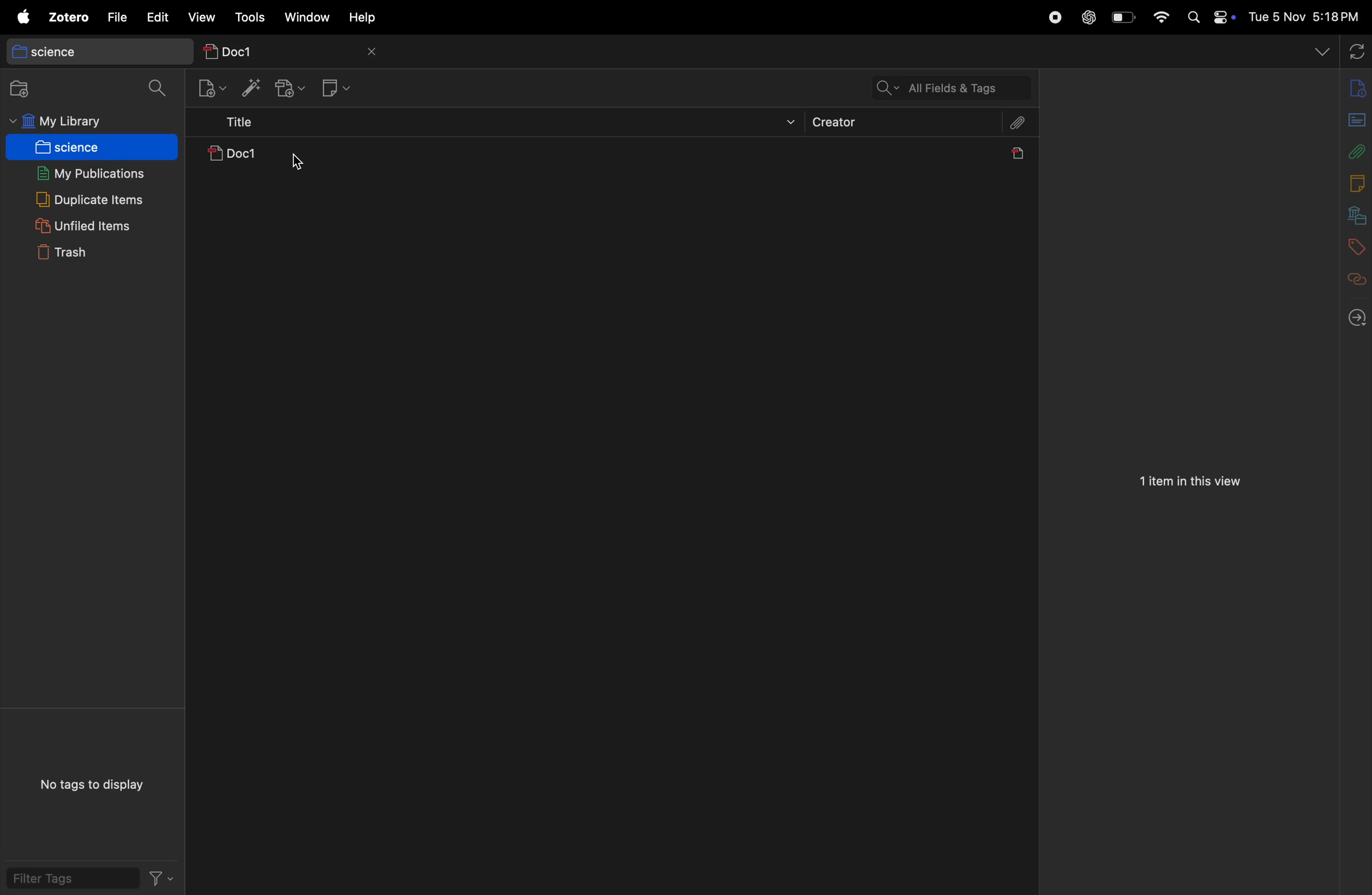  What do you see at coordinates (85, 146) in the screenshot?
I see `science` at bounding box center [85, 146].